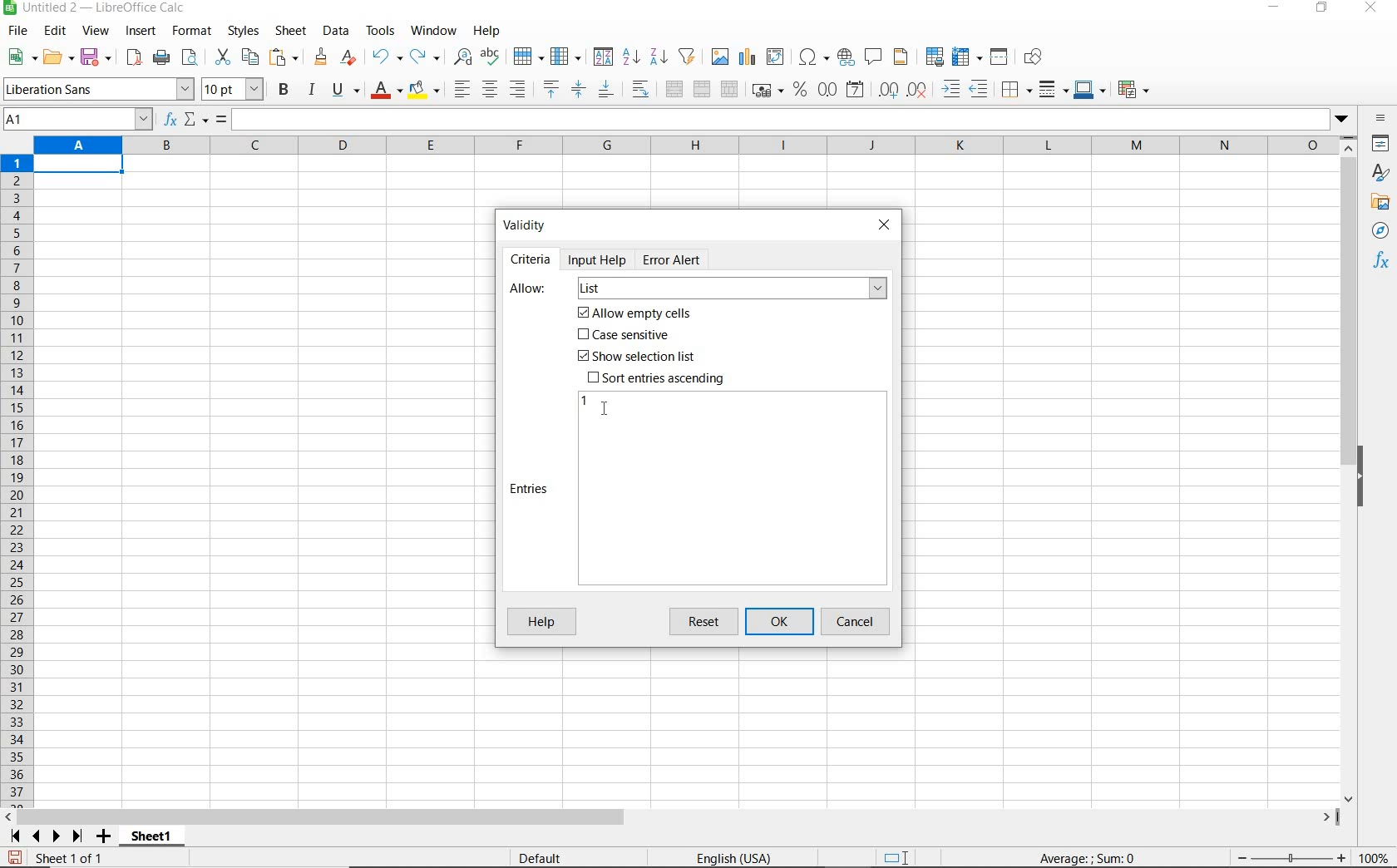 The height and width of the screenshot is (868, 1397). What do you see at coordinates (827, 89) in the screenshot?
I see `format as number` at bounding box center [827, 89].